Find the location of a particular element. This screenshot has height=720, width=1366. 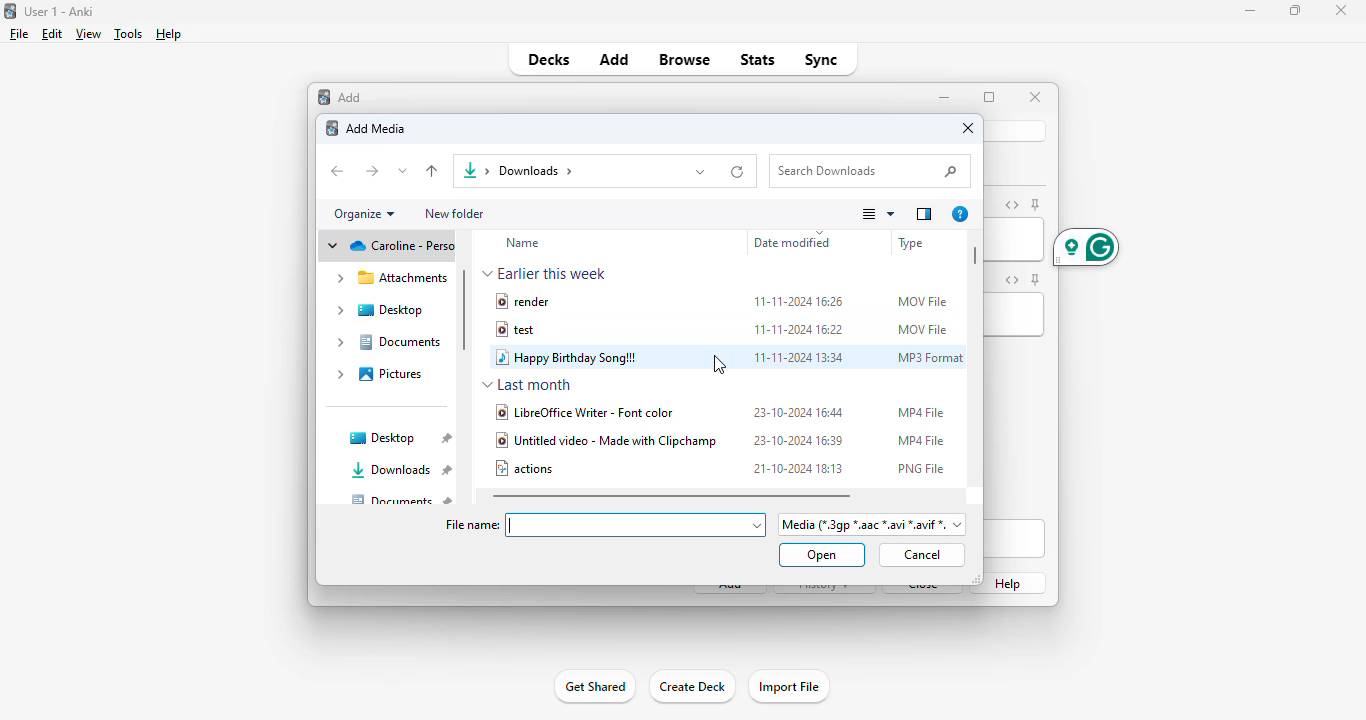

downloads is located at coordinates (561, 171).